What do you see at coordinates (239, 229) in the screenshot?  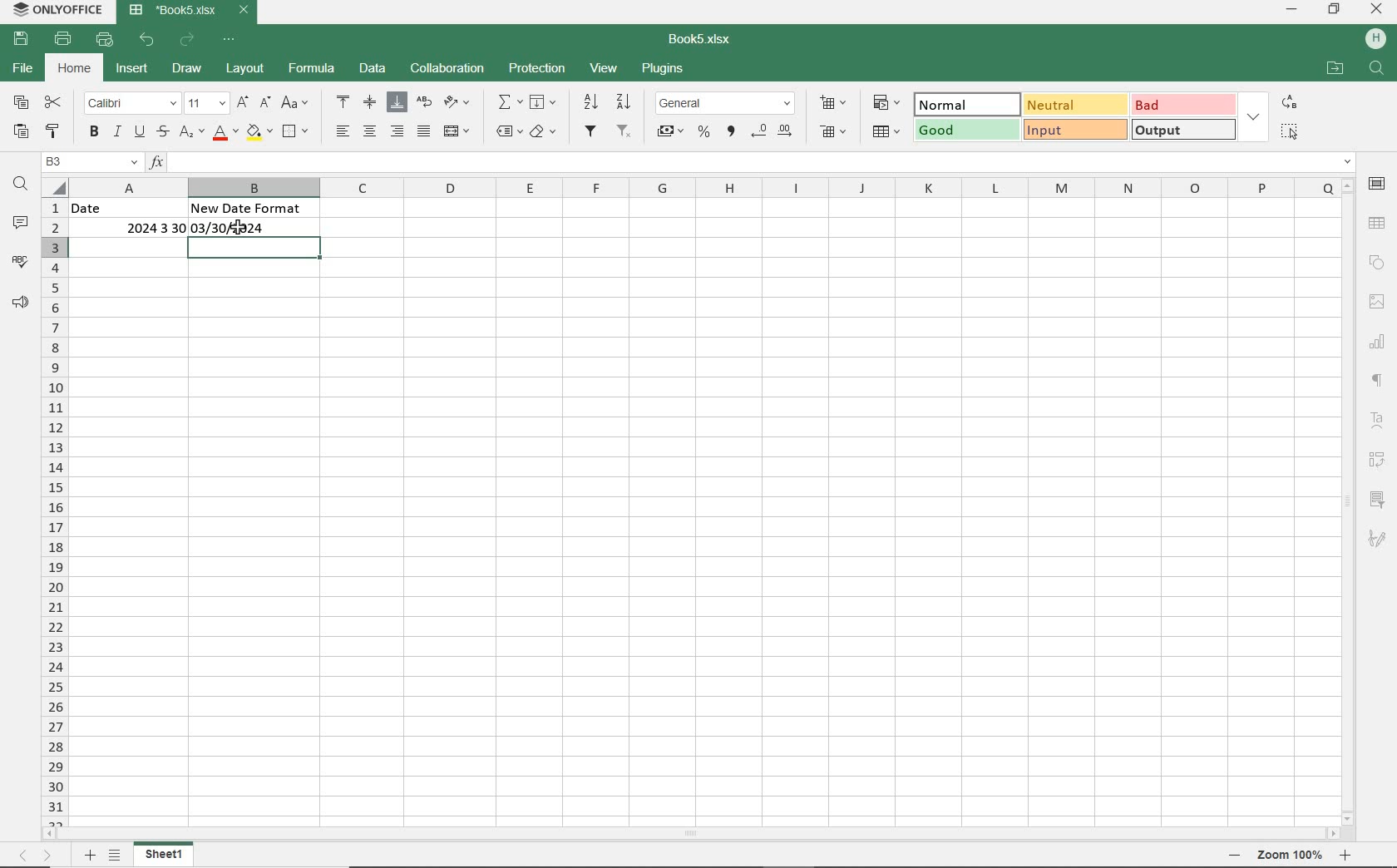 I see `cursor` at bounding box center [239, 229].